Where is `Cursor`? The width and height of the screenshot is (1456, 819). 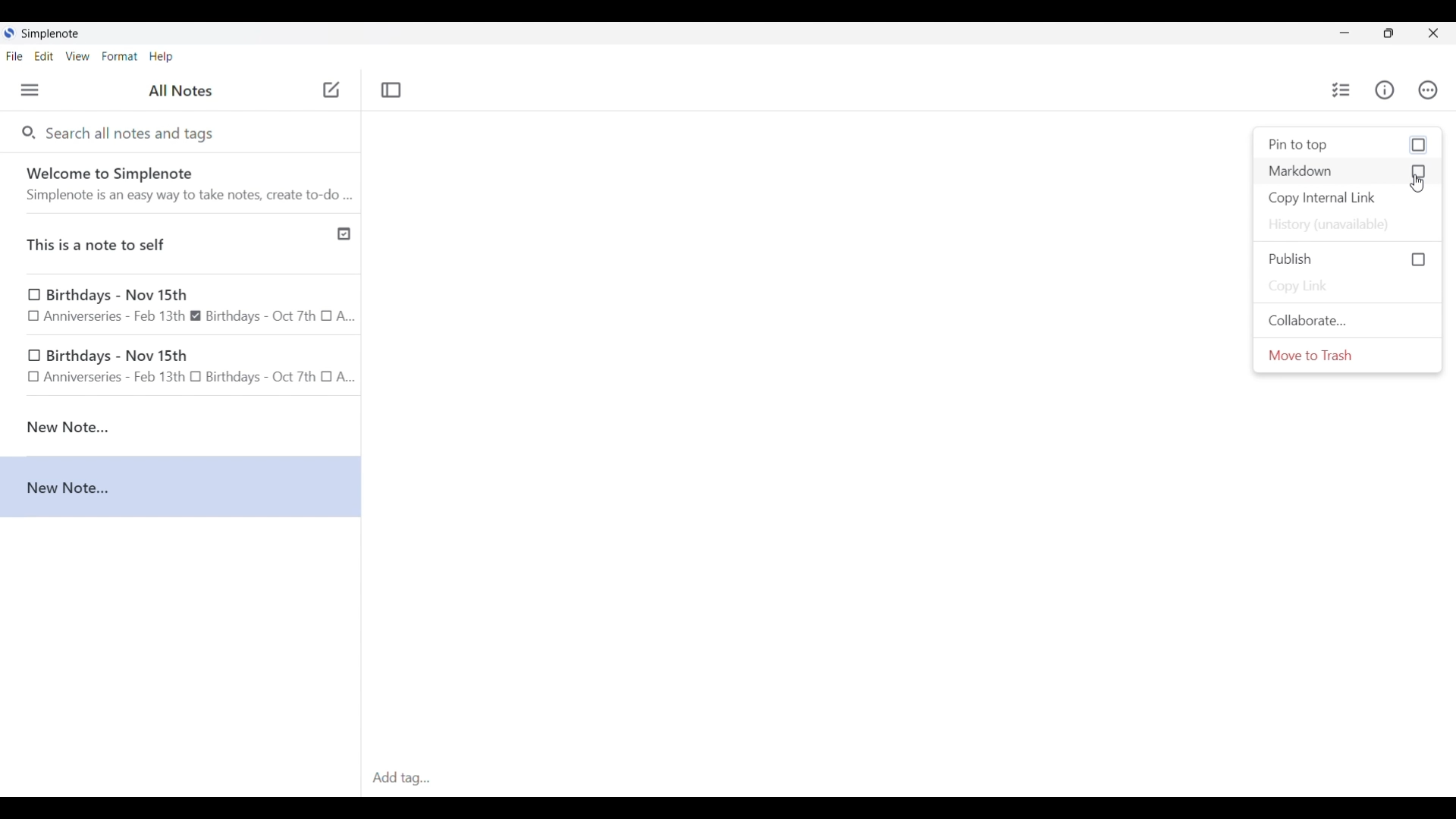 Cursor is located at coordinates (1417, 184).